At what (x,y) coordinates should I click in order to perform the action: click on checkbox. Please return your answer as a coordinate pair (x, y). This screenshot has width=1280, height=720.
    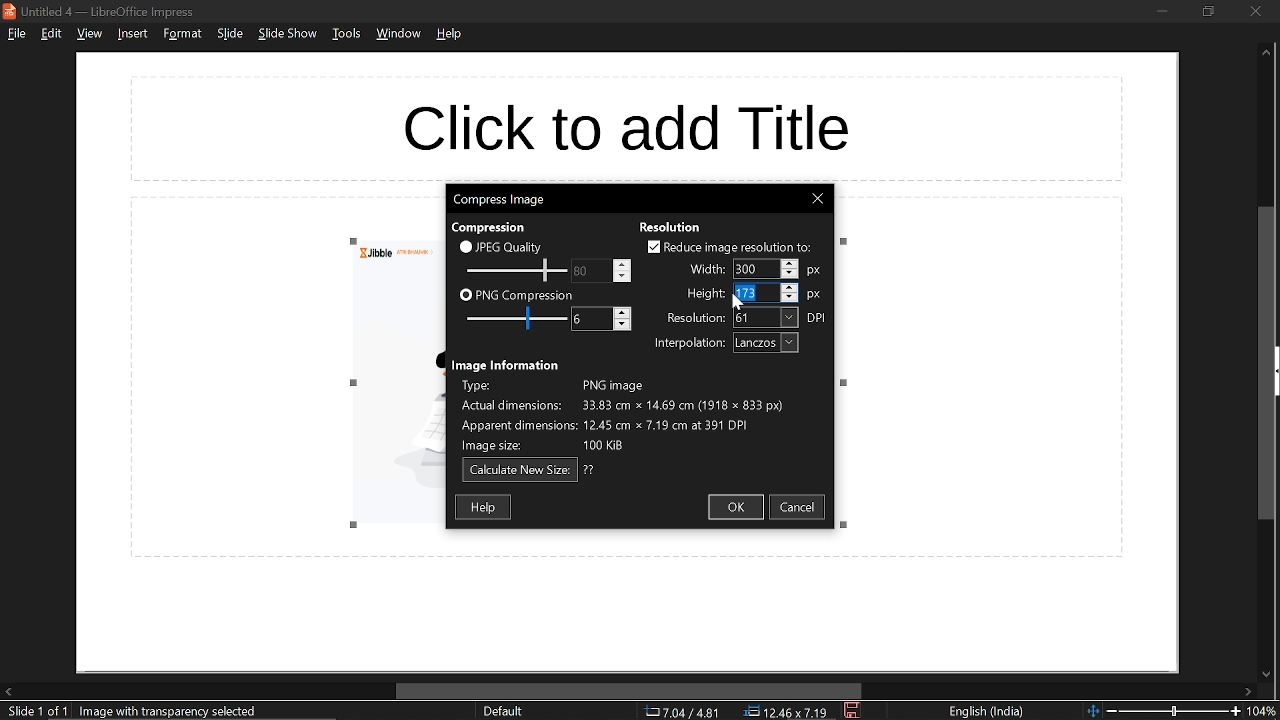
    Looking at the image, I should click on (651, 246).